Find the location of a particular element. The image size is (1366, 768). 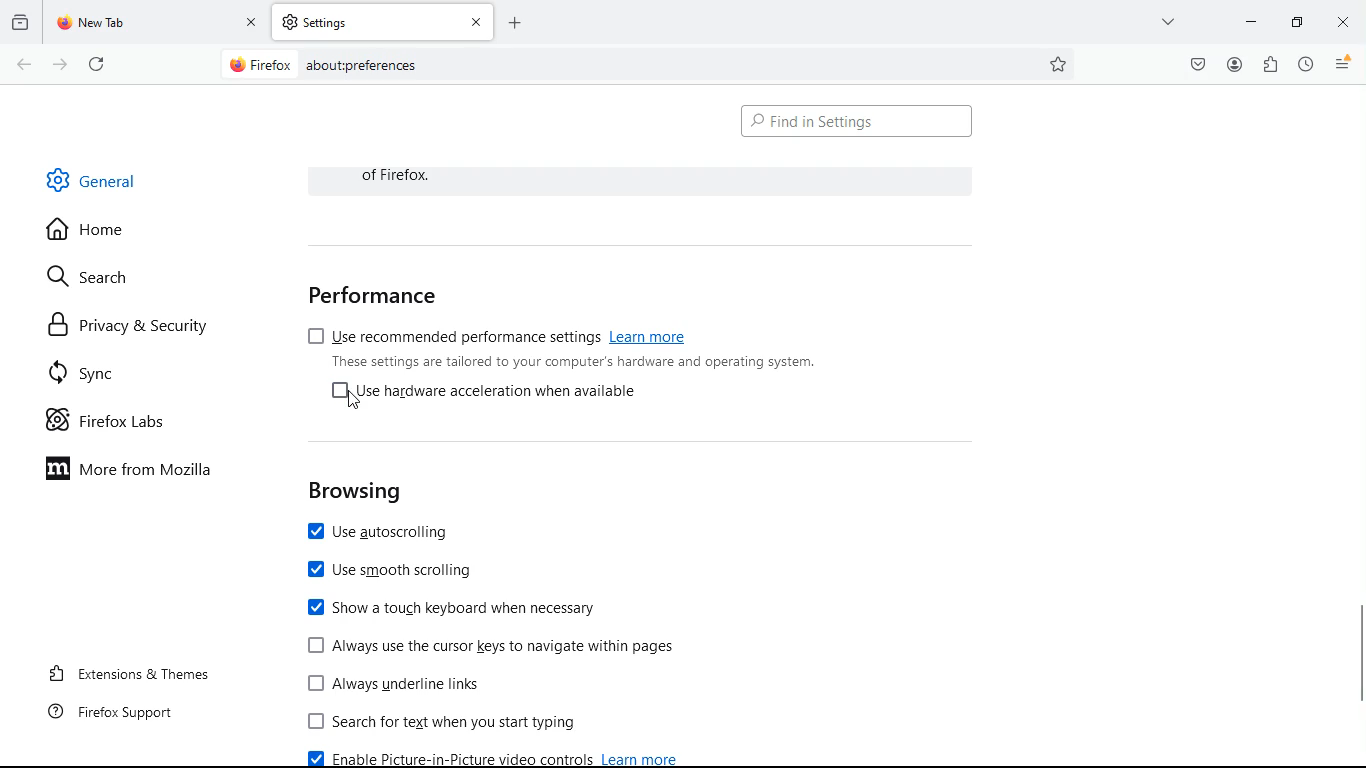

find in settings is located at coordinates (856, 122).